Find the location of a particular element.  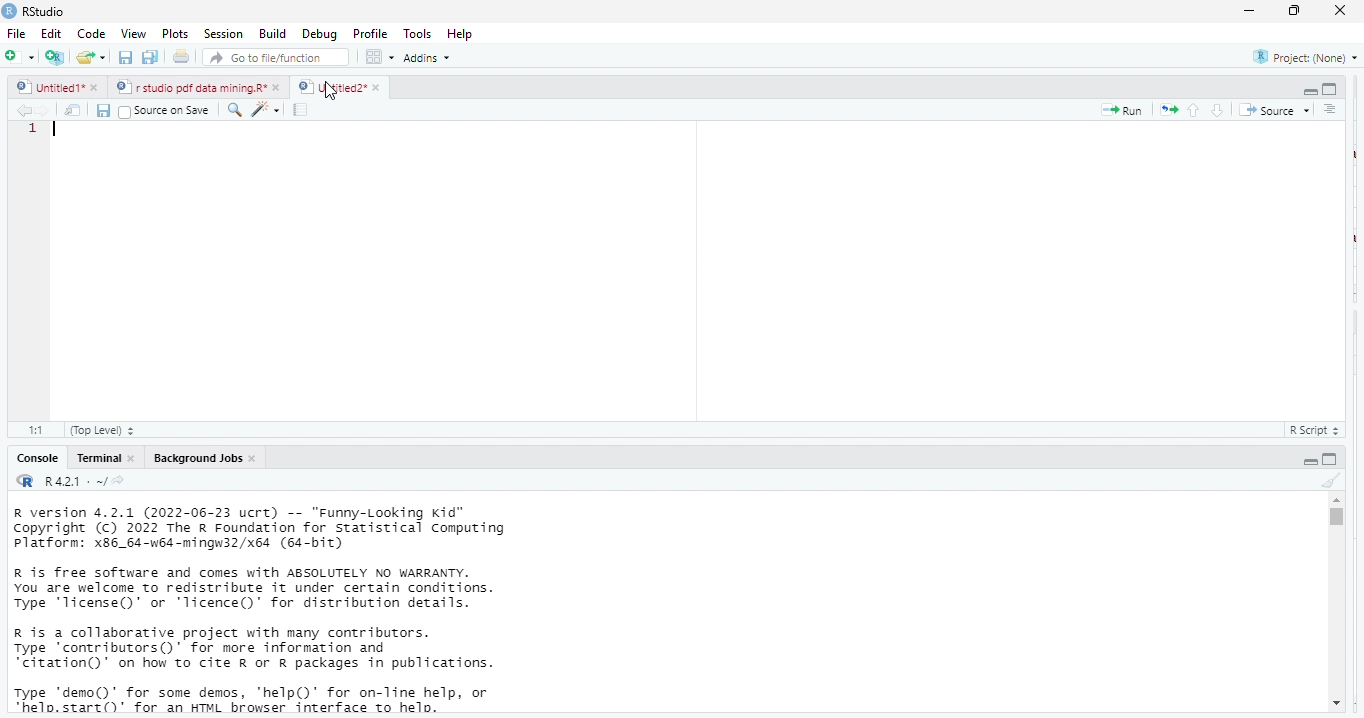

untitled 2 is located at coordinates (330, 86).